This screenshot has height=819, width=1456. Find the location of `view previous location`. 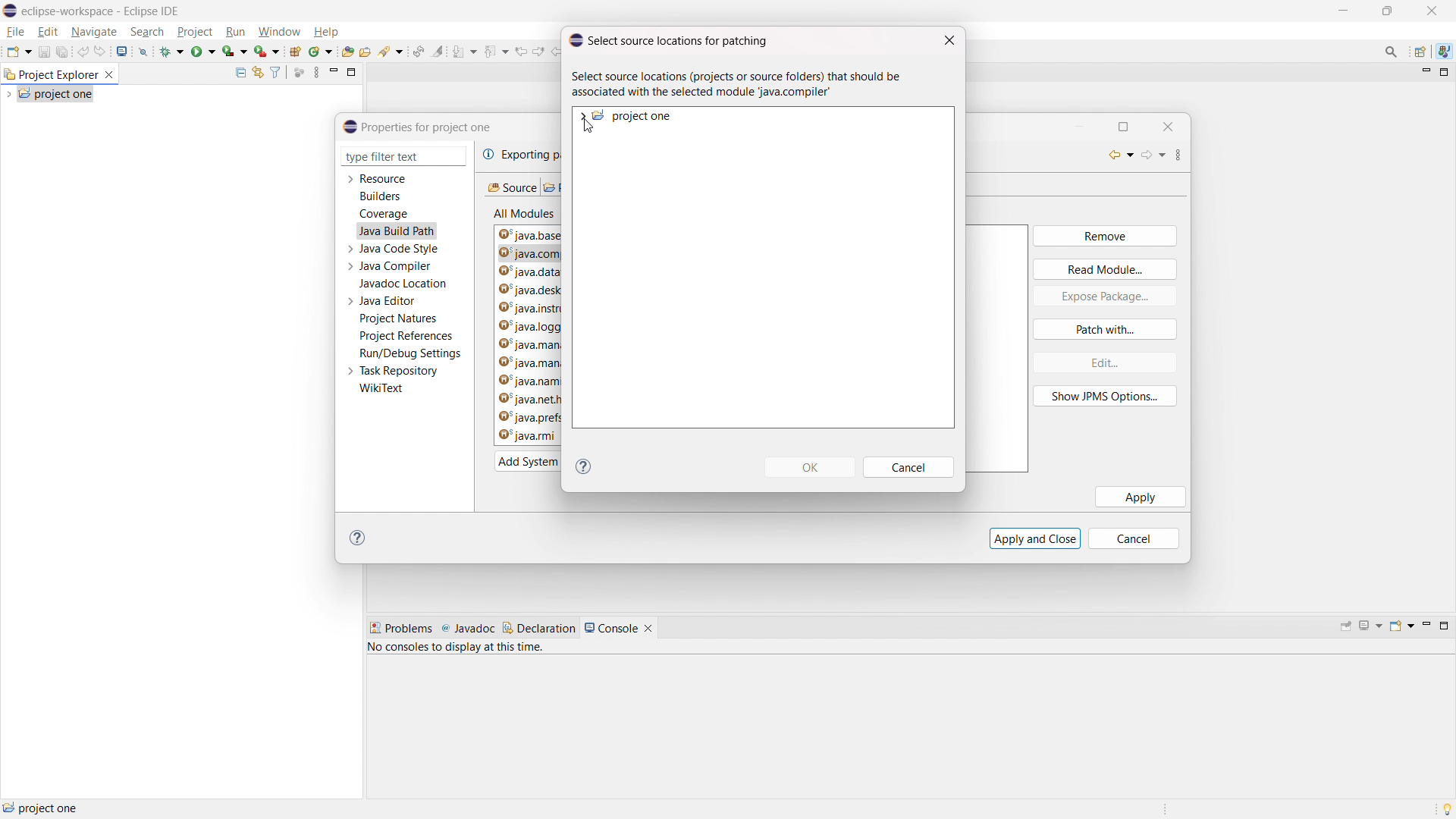

view previous location is located at coordinates (521, 50).